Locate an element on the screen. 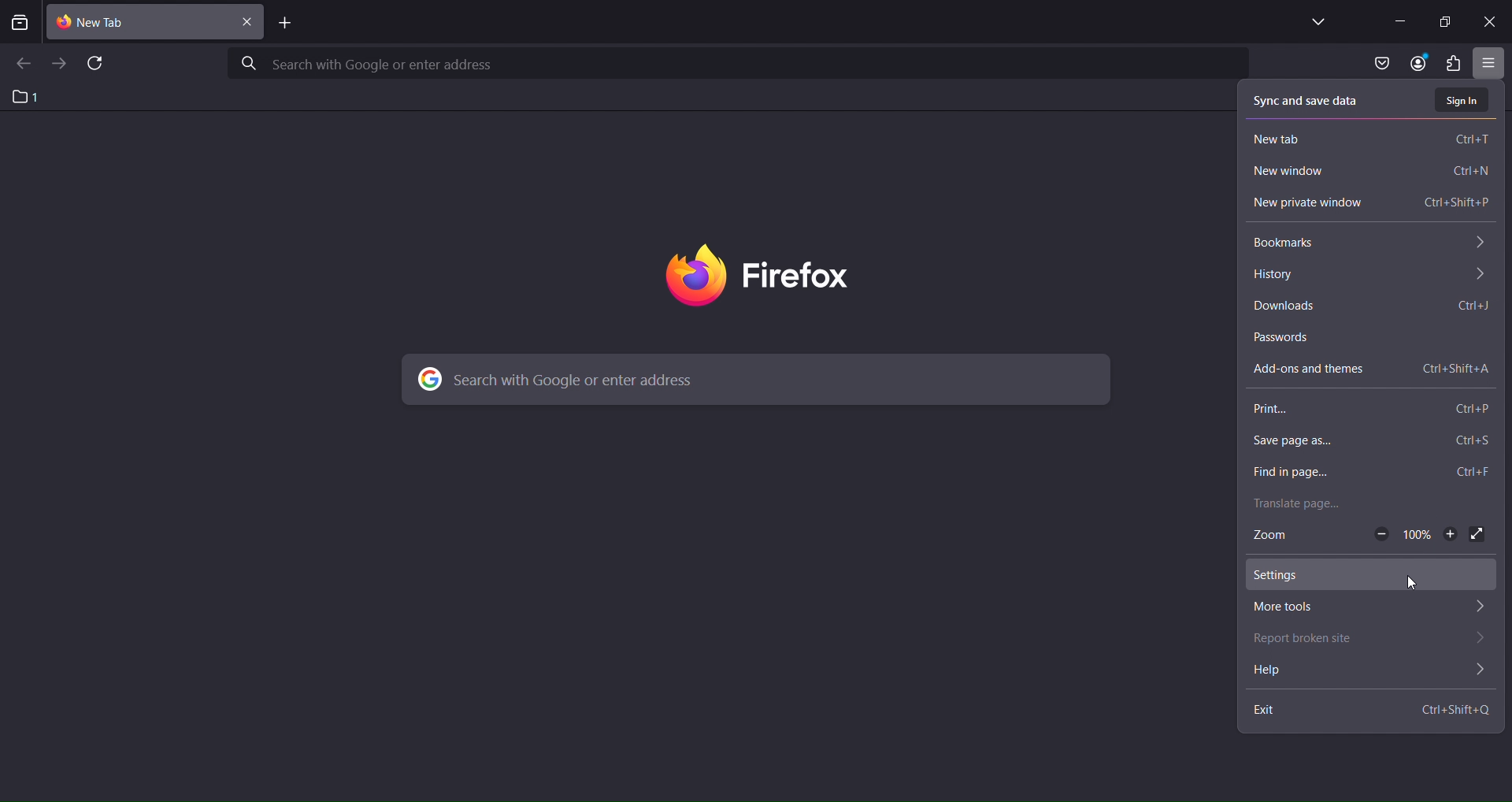 The image size is (1512, 802). cursor is located at coordinates (1417, 585).